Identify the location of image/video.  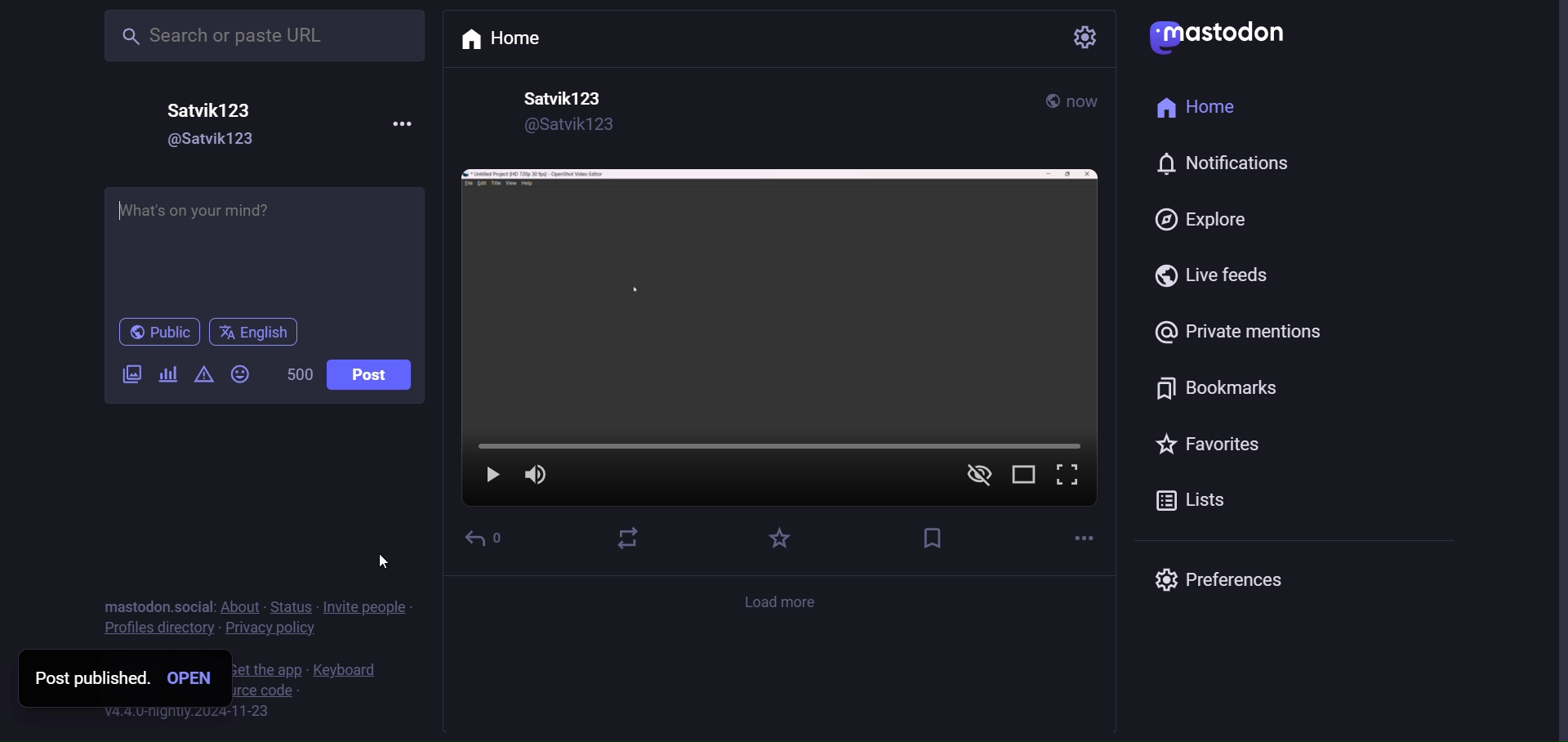
(127, 378).